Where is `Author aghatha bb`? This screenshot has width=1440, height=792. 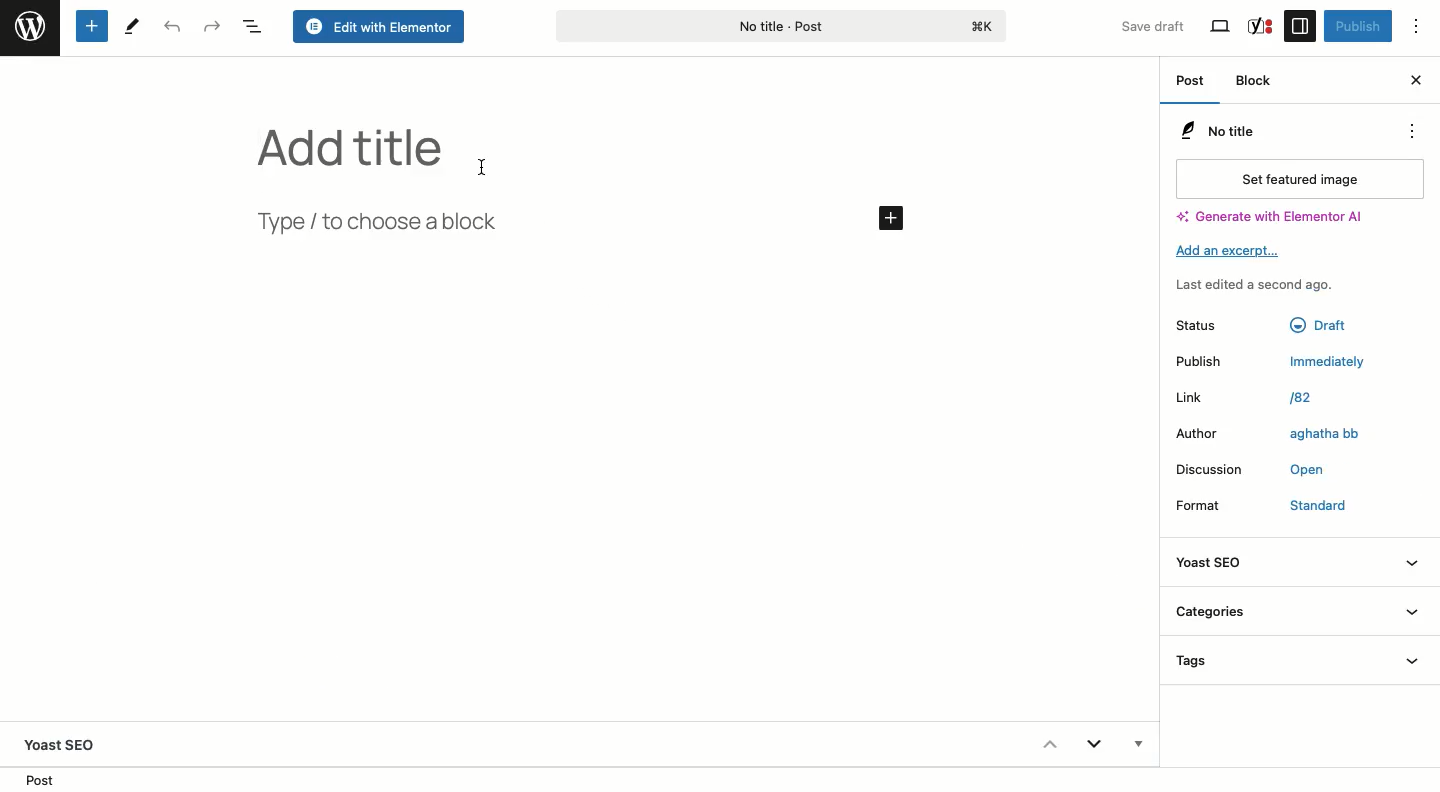
Author aghatha bb is located at coordinates (1207, 436).